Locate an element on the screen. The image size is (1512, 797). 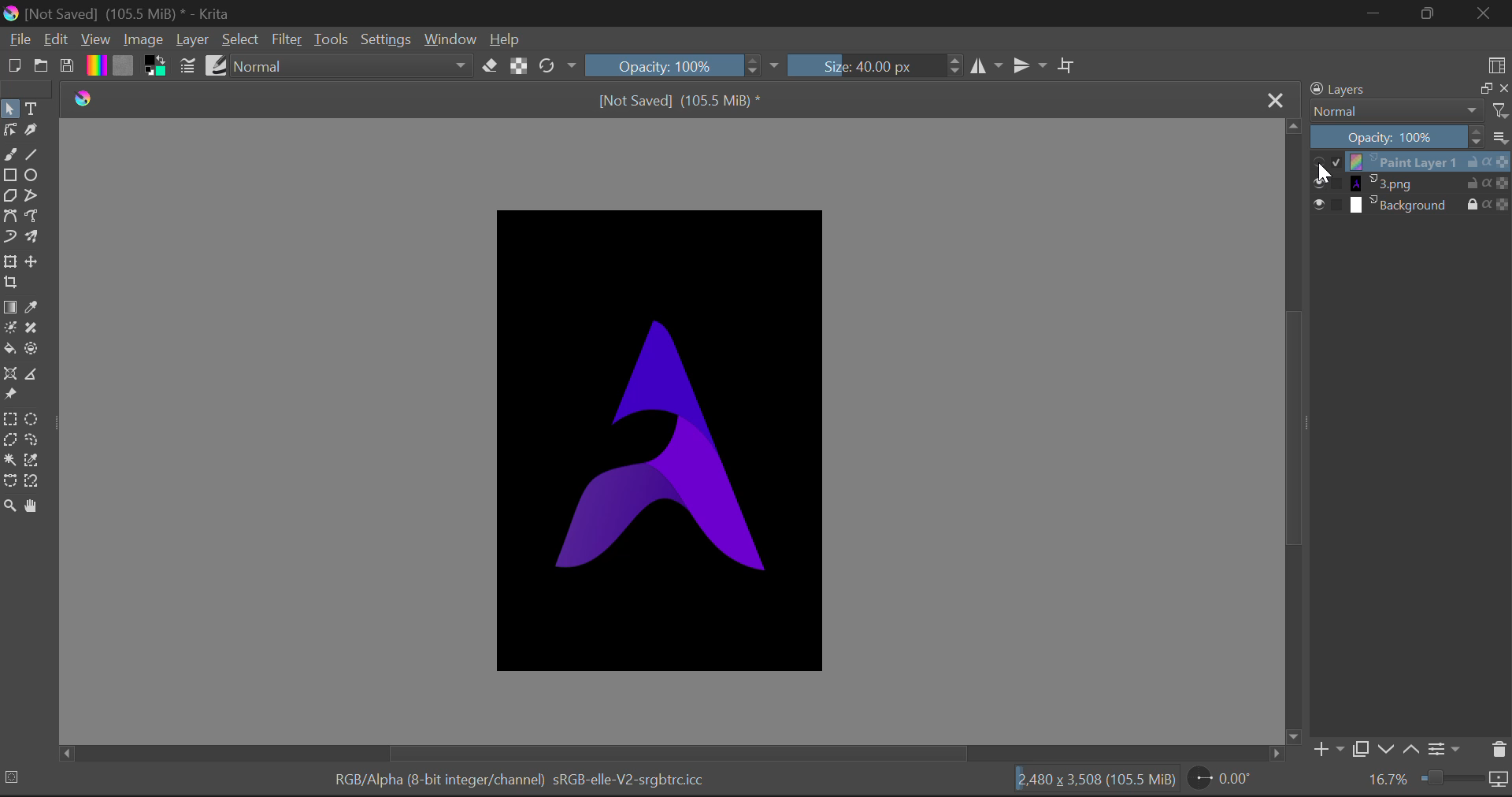
Vertical Mirror Flip is located at coordinates (984, 67).